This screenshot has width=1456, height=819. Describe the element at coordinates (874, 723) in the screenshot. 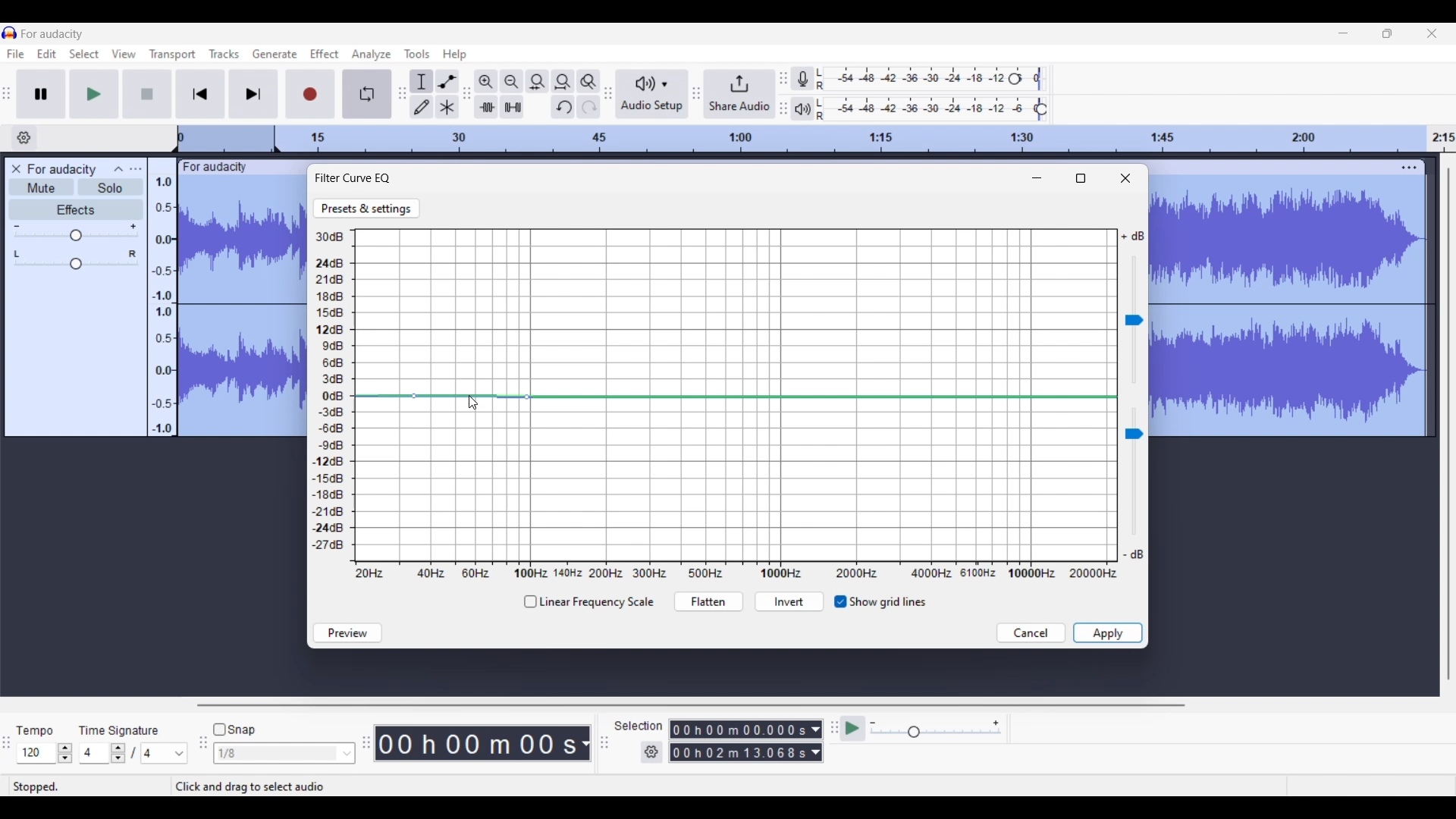

I see `Min. playback speed` at that location.